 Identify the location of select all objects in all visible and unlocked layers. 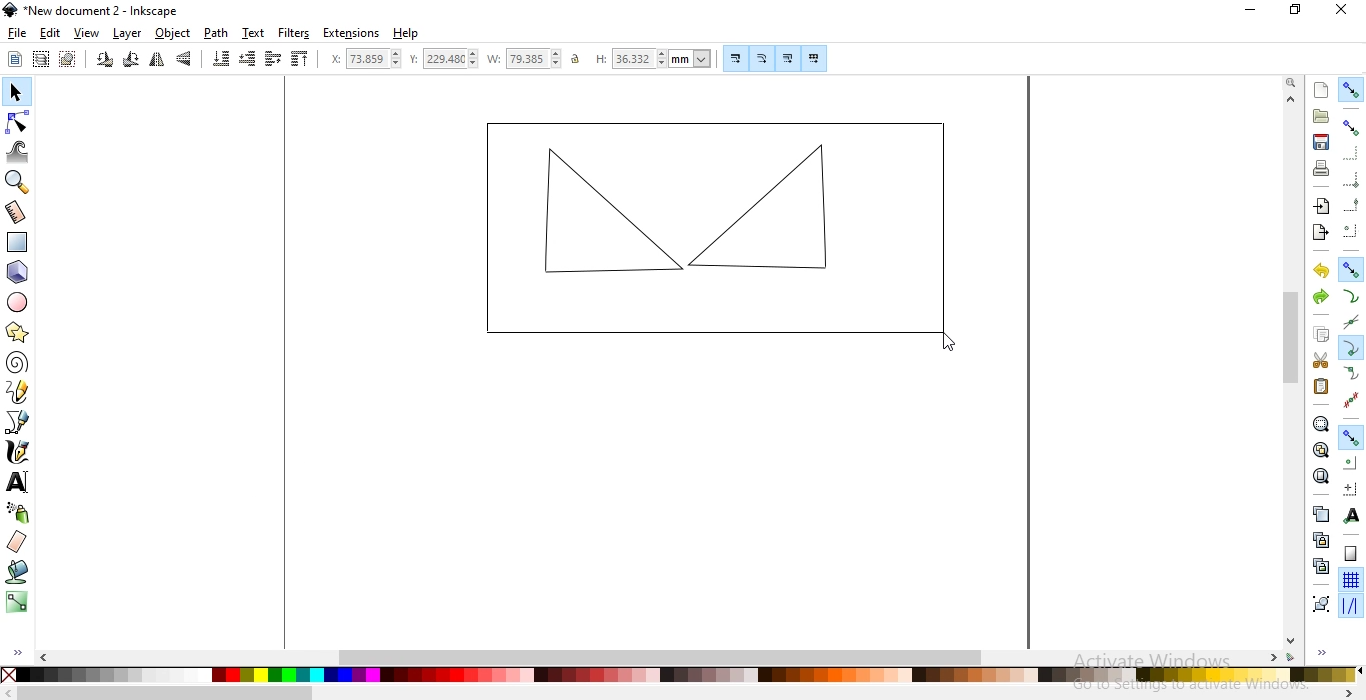
(42, 58).